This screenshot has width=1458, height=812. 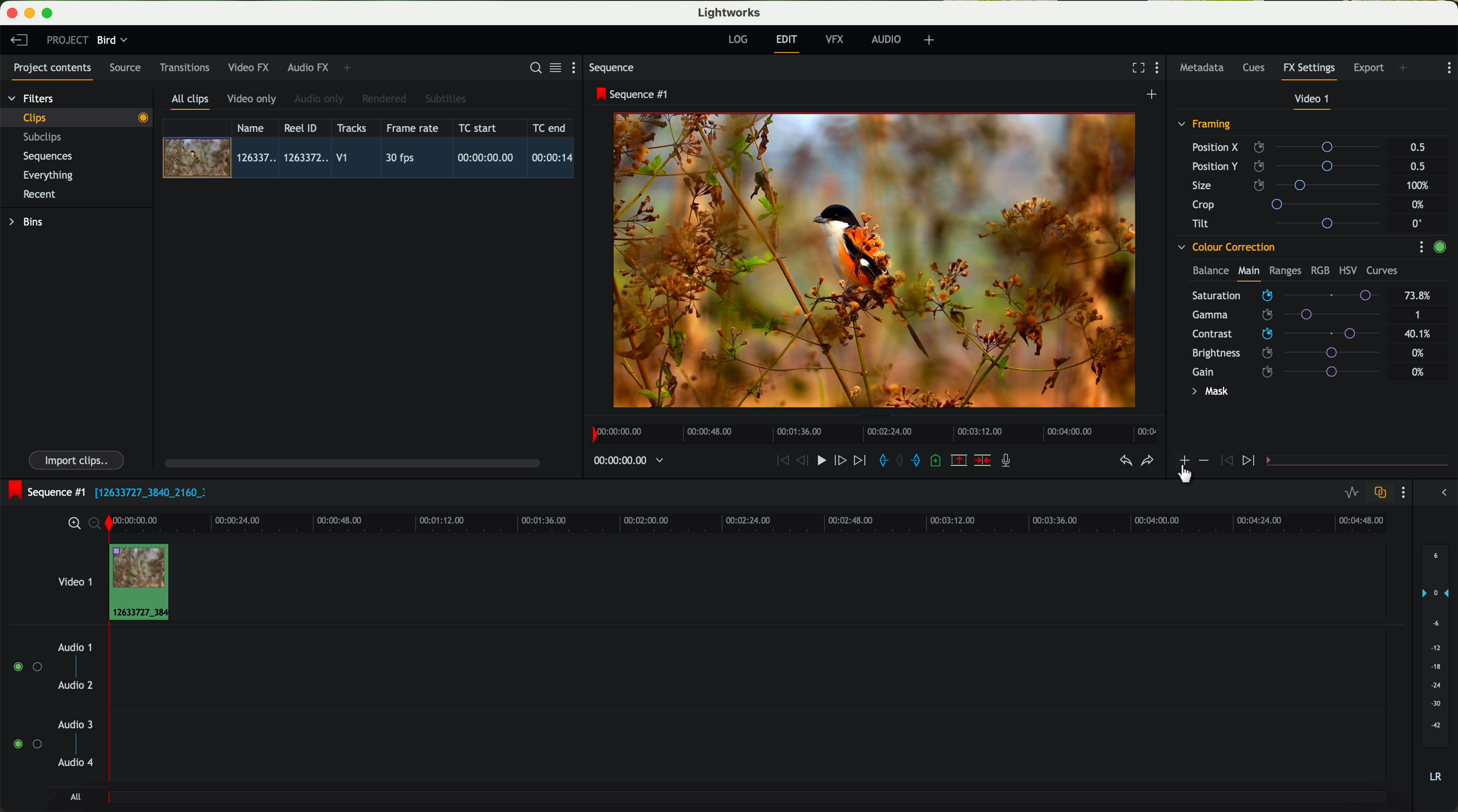 I want to click on add a cue at the current position, so click(x=937, y=461).